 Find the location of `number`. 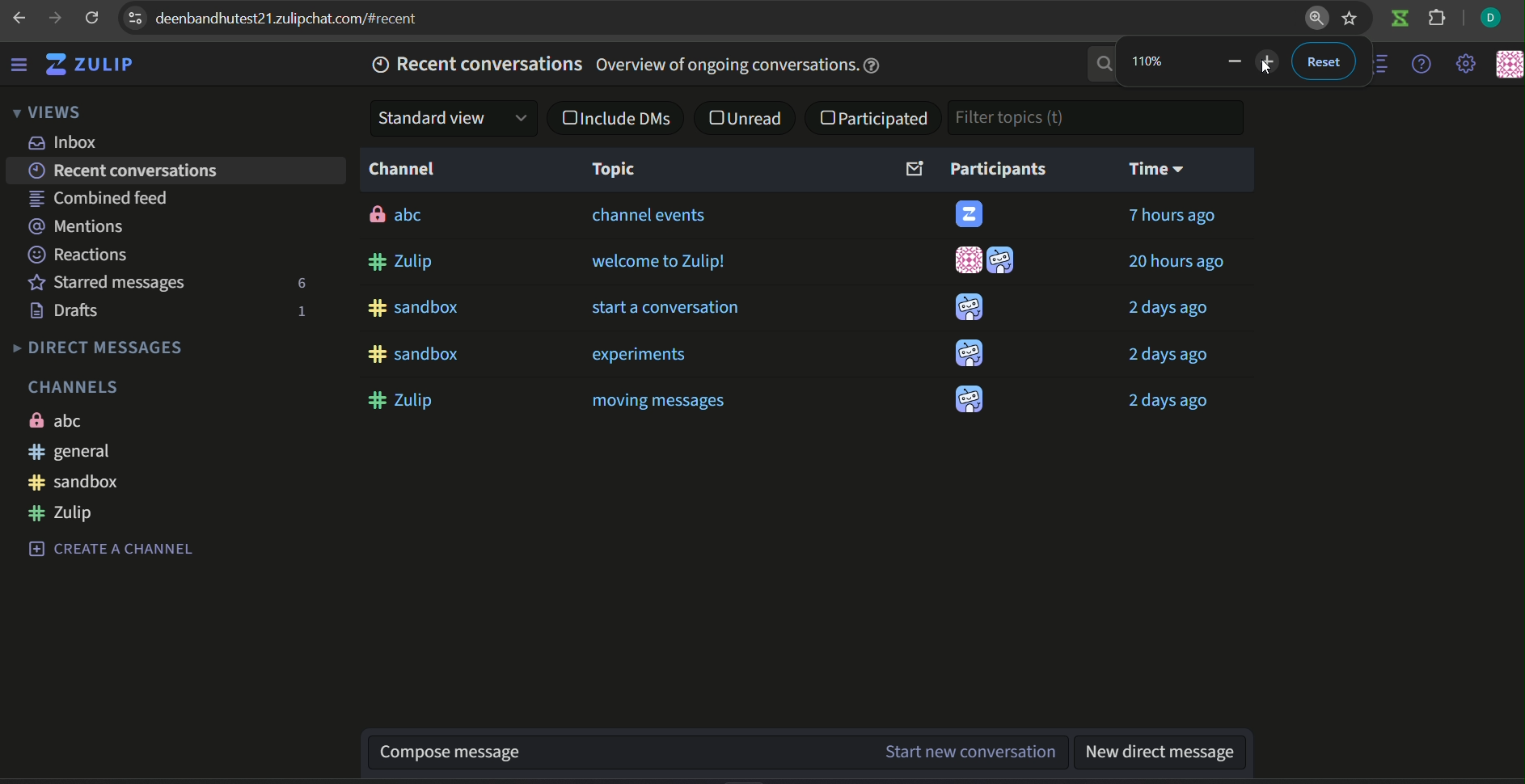

number is located at coordinates (298, 311).